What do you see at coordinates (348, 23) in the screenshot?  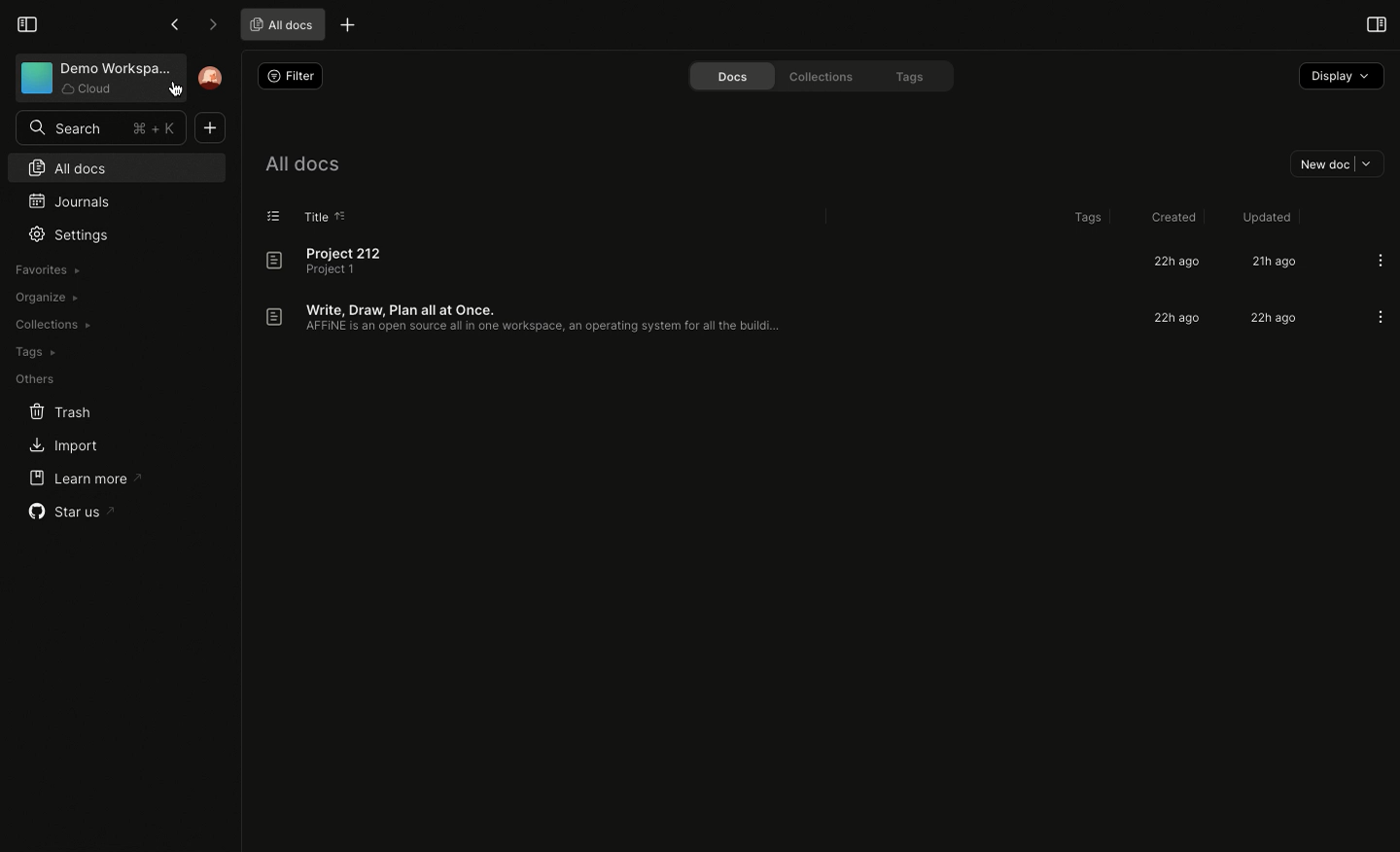 I see `New tab` at bounding box center [348, 23].